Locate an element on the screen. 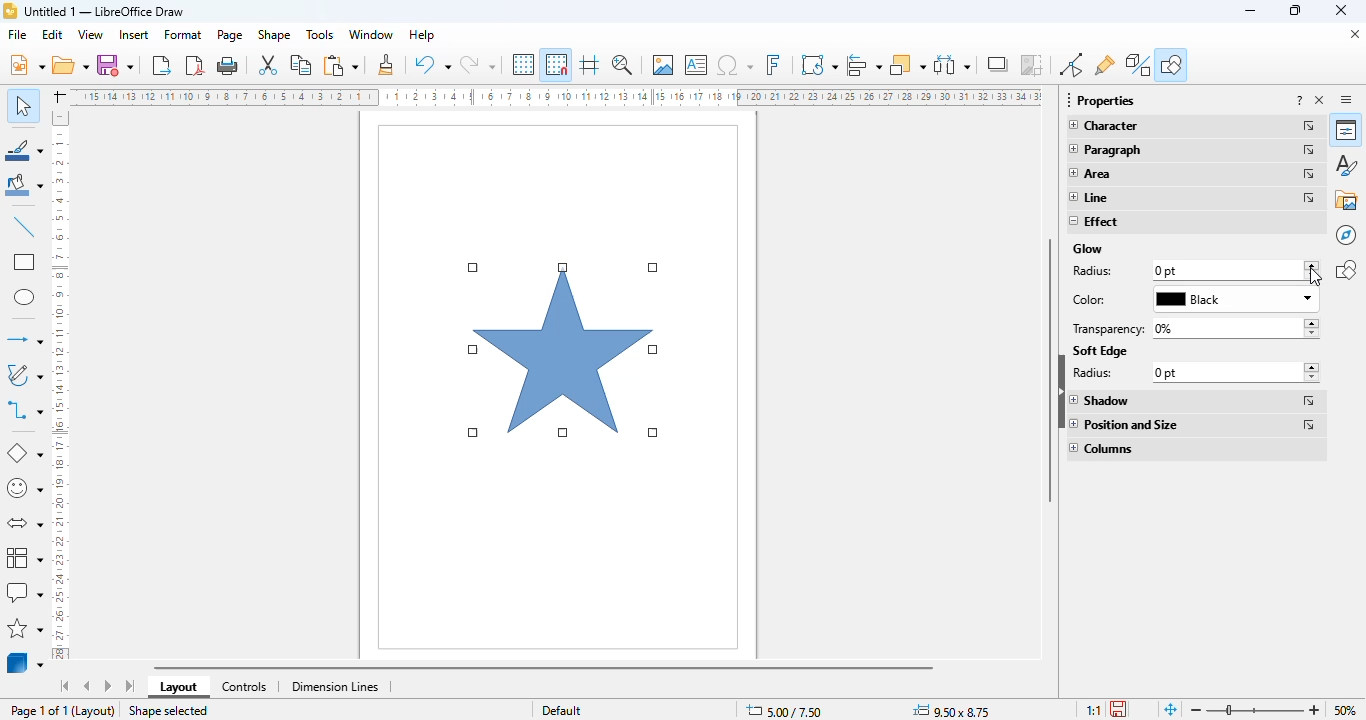 This screenshot has width=1366, height=720. rectangle is located at coordinates (24, 262).